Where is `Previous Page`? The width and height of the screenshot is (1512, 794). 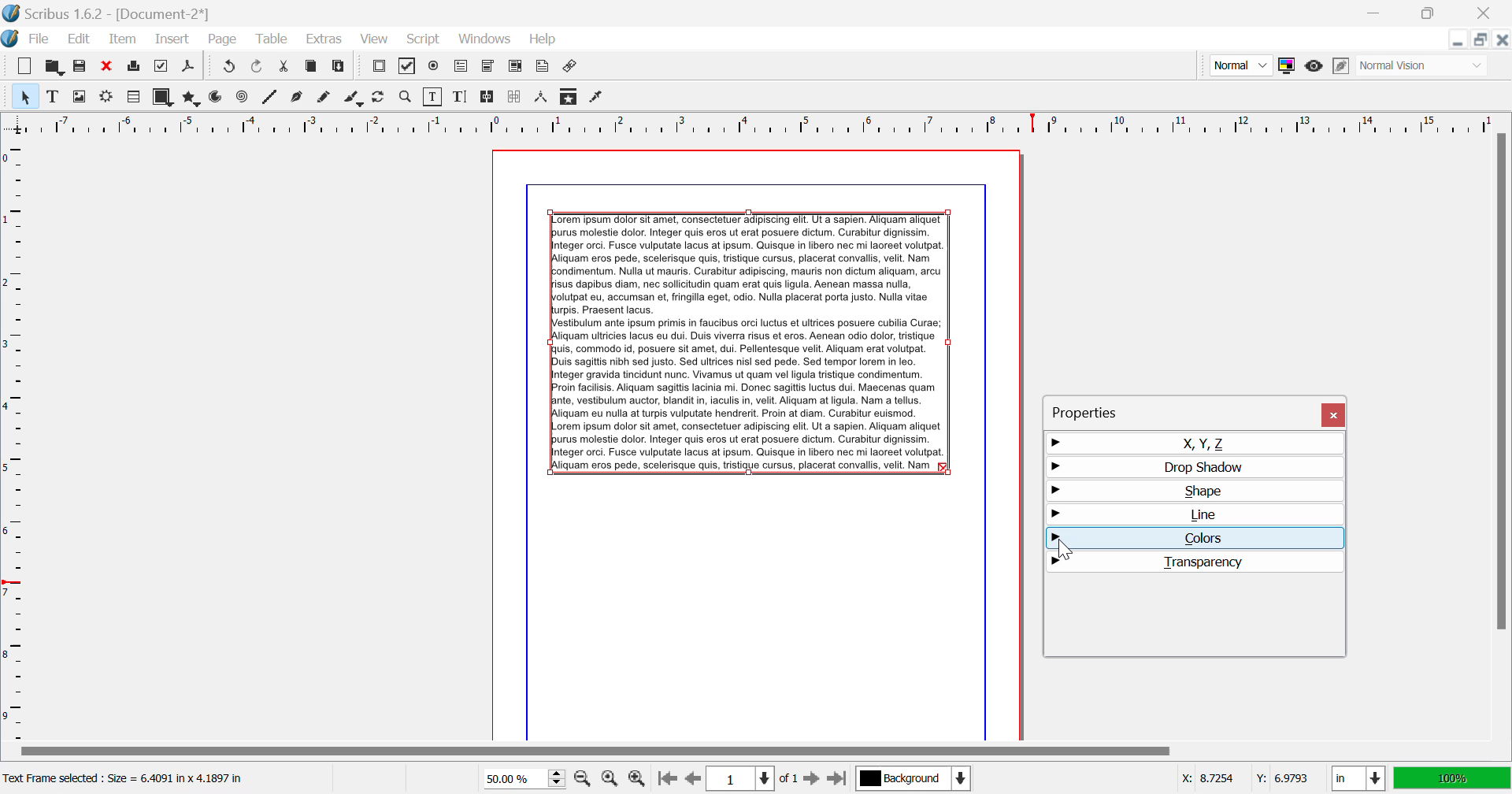
Previous Page is located at coordinates (691, 779).